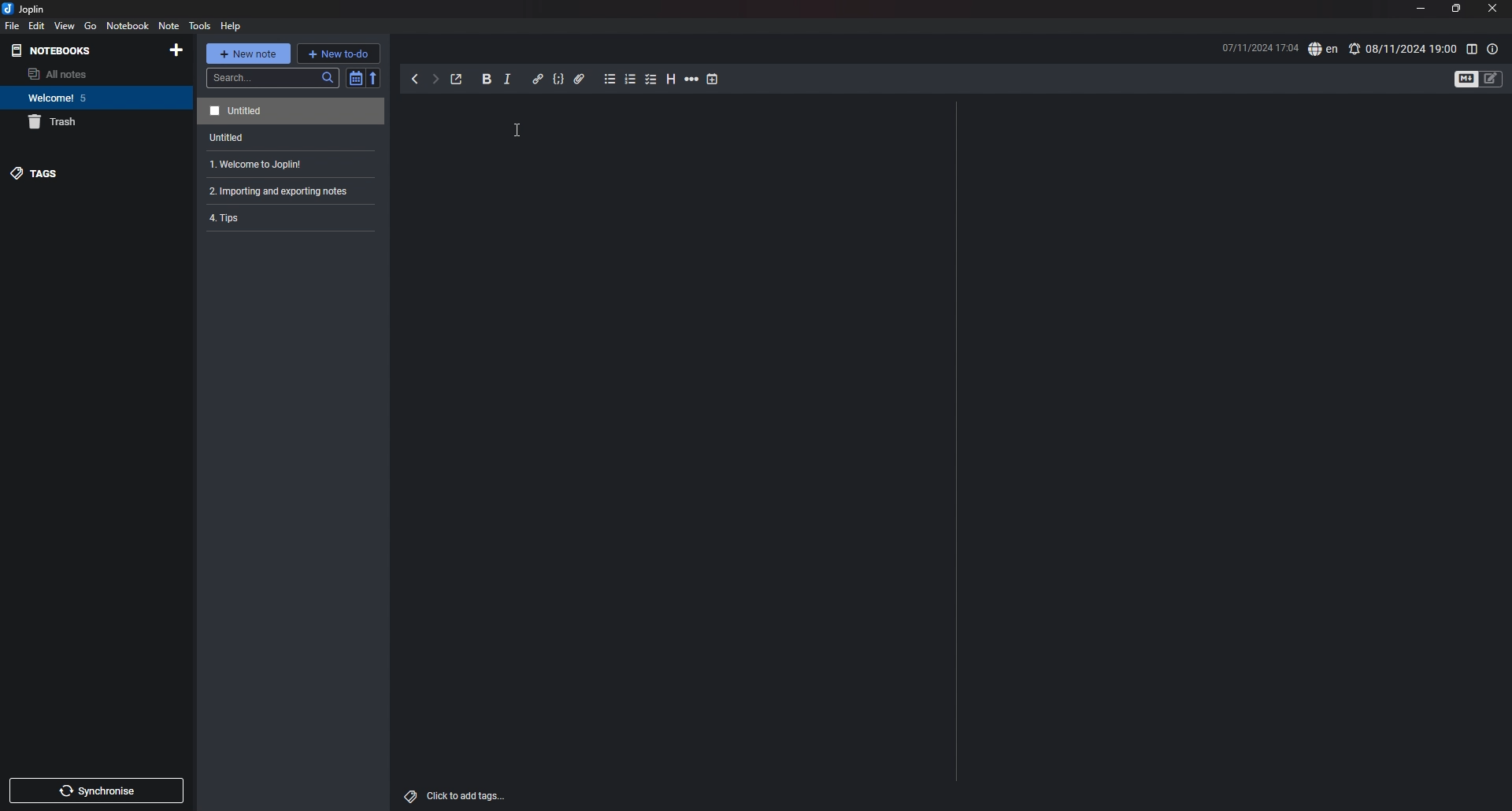 The image size is (1512, 811). I want to click on heading, so click(671, 80).